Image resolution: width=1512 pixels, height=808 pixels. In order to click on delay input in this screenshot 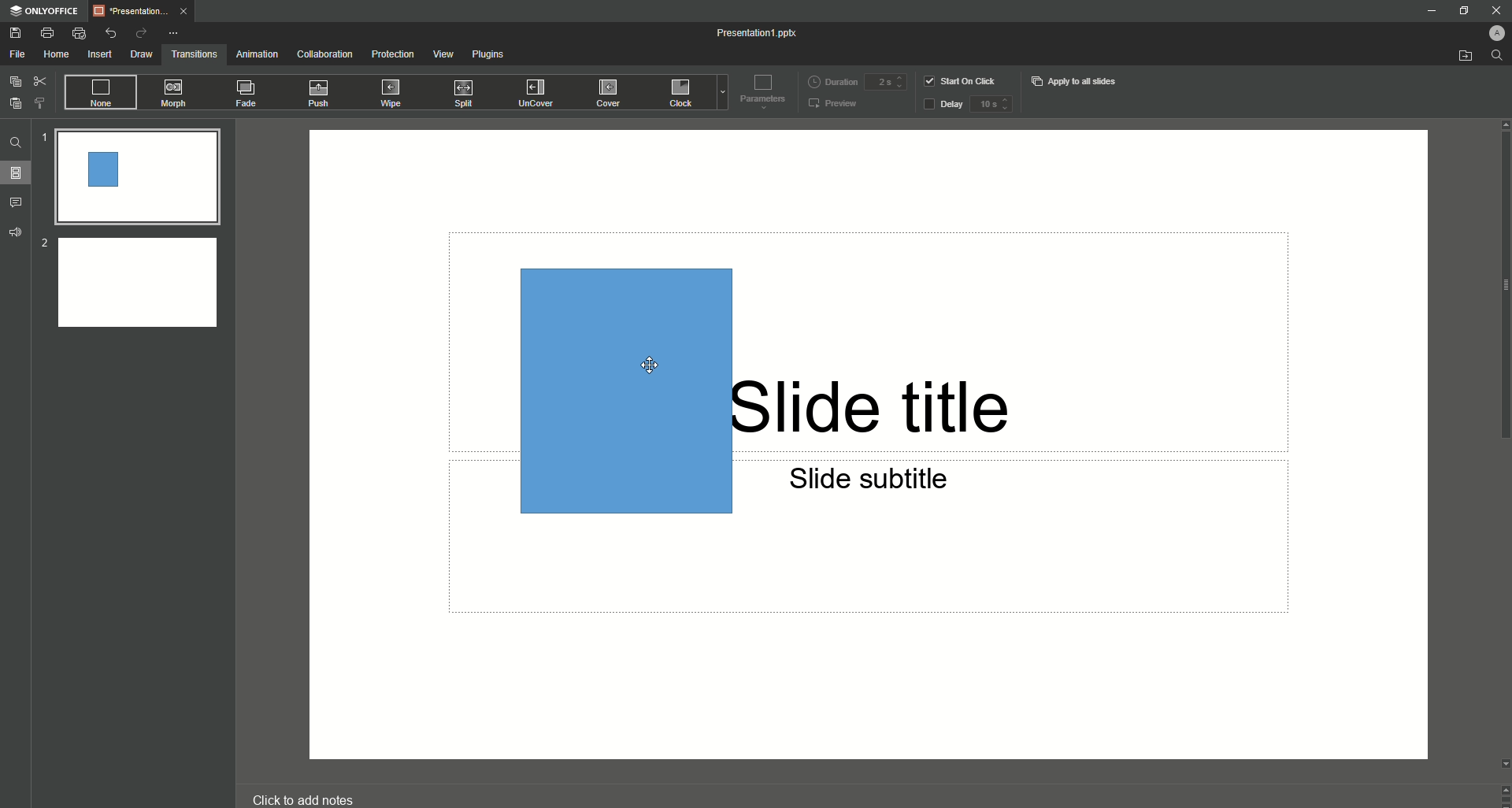, I will do `click(995, 106)`.